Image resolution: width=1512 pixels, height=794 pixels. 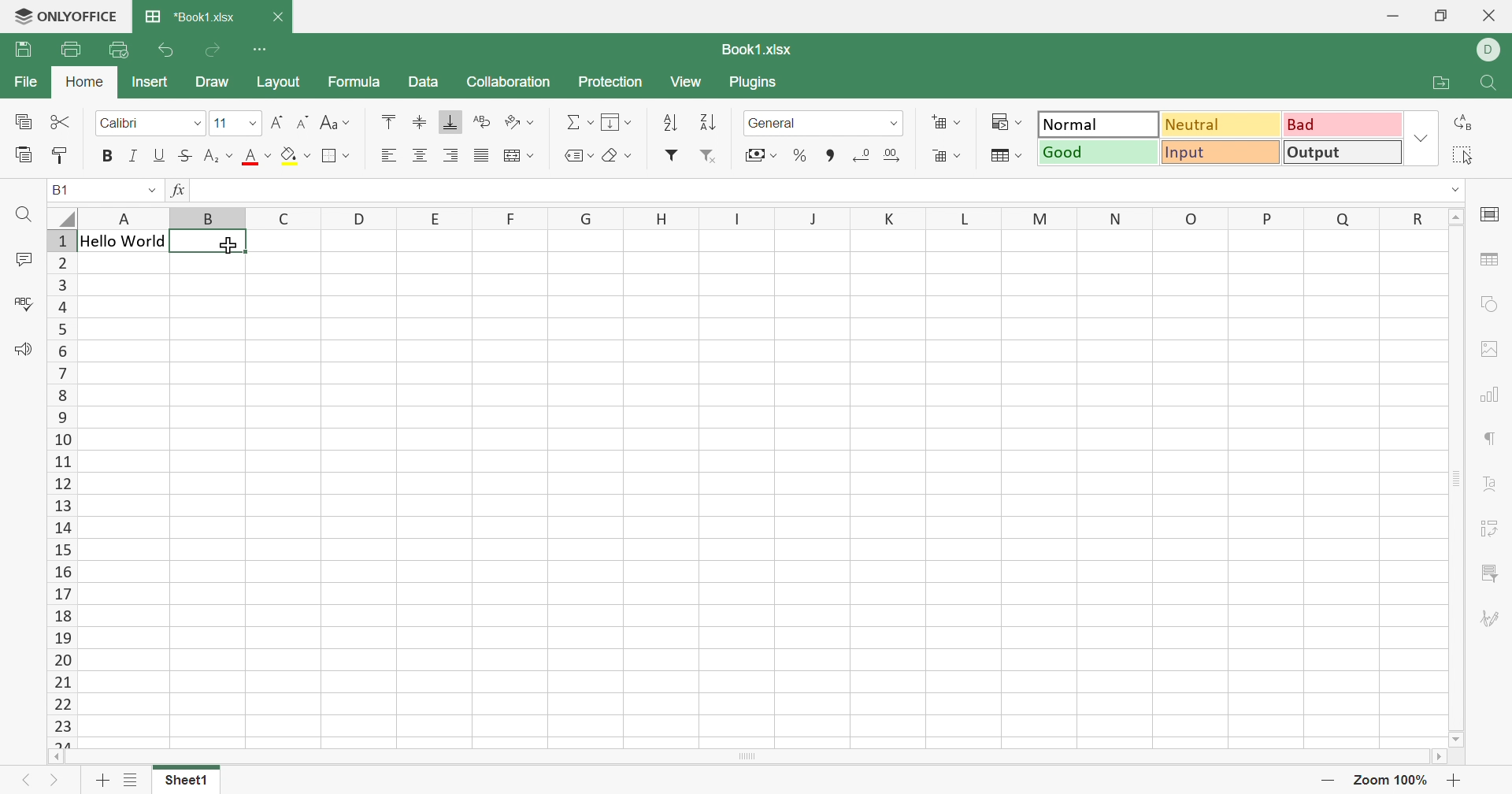 I want to click on Bad, so click(x=1340, y=125).